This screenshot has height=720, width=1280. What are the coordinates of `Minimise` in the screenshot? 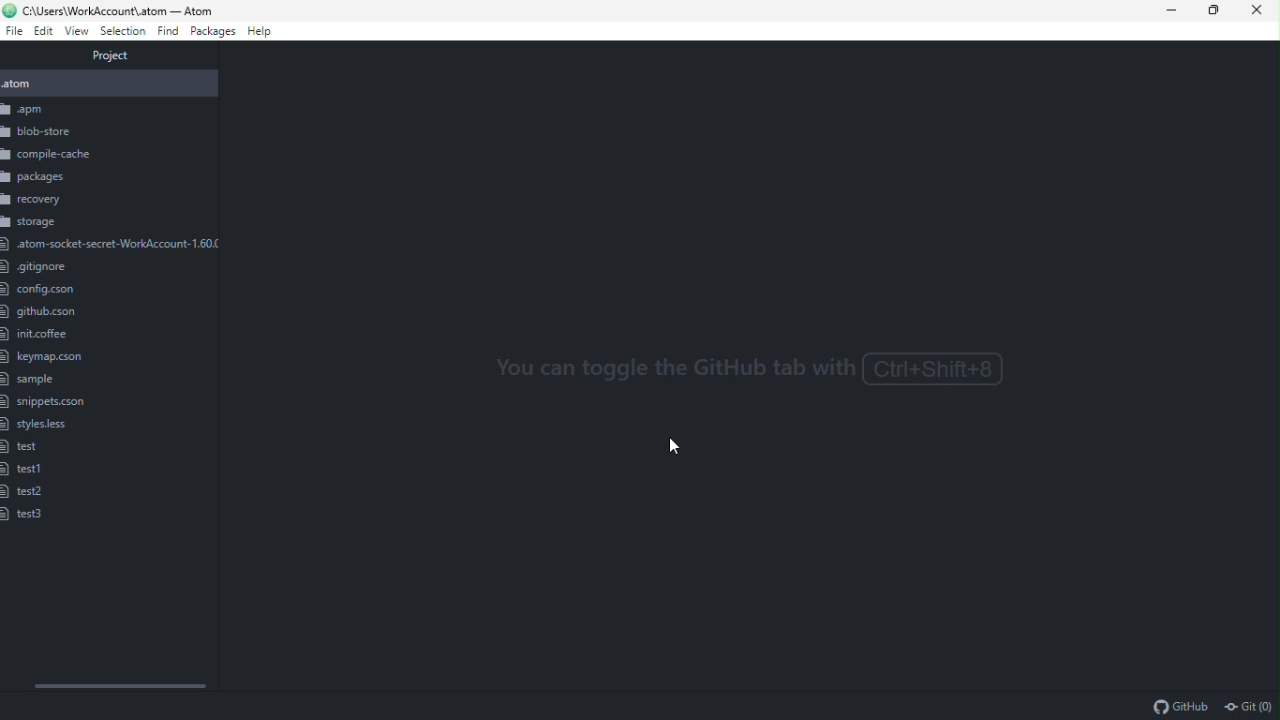 It's located at (1177, 9).